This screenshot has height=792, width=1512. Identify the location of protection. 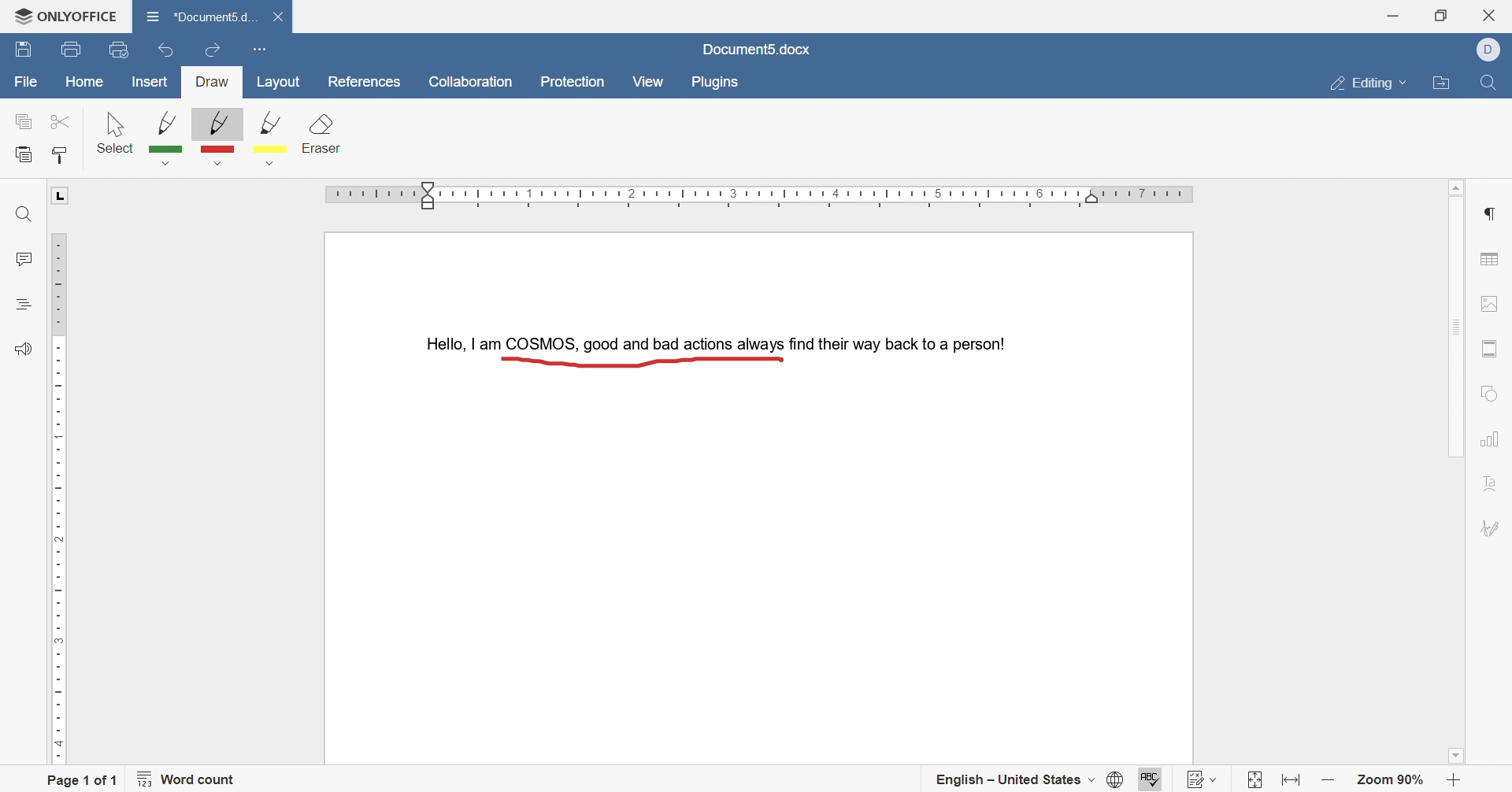
(576, 83).